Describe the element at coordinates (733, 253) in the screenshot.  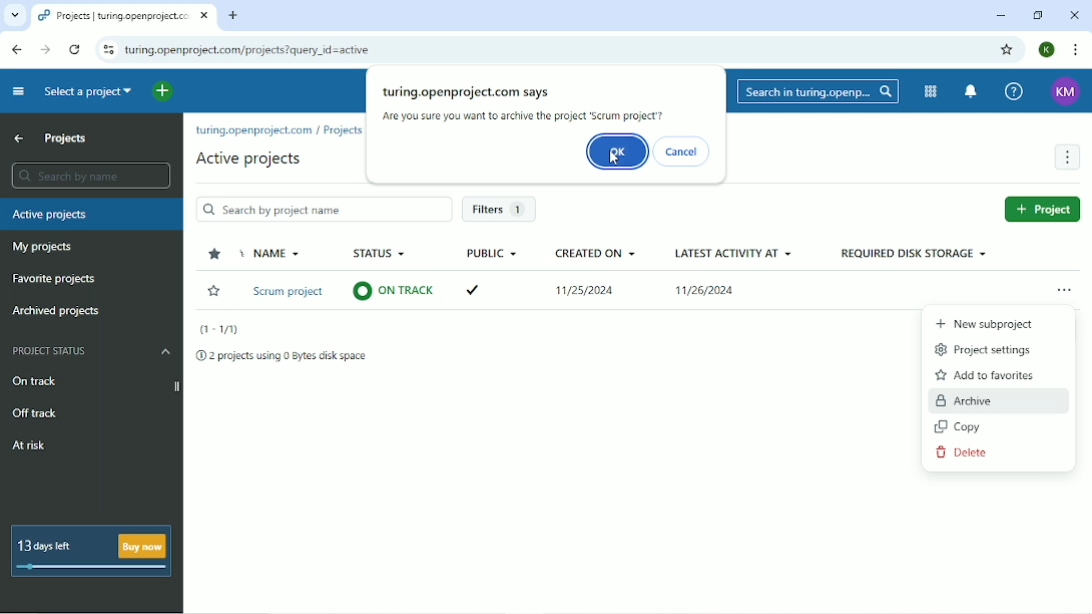
I see `Latest activity at` at that location.